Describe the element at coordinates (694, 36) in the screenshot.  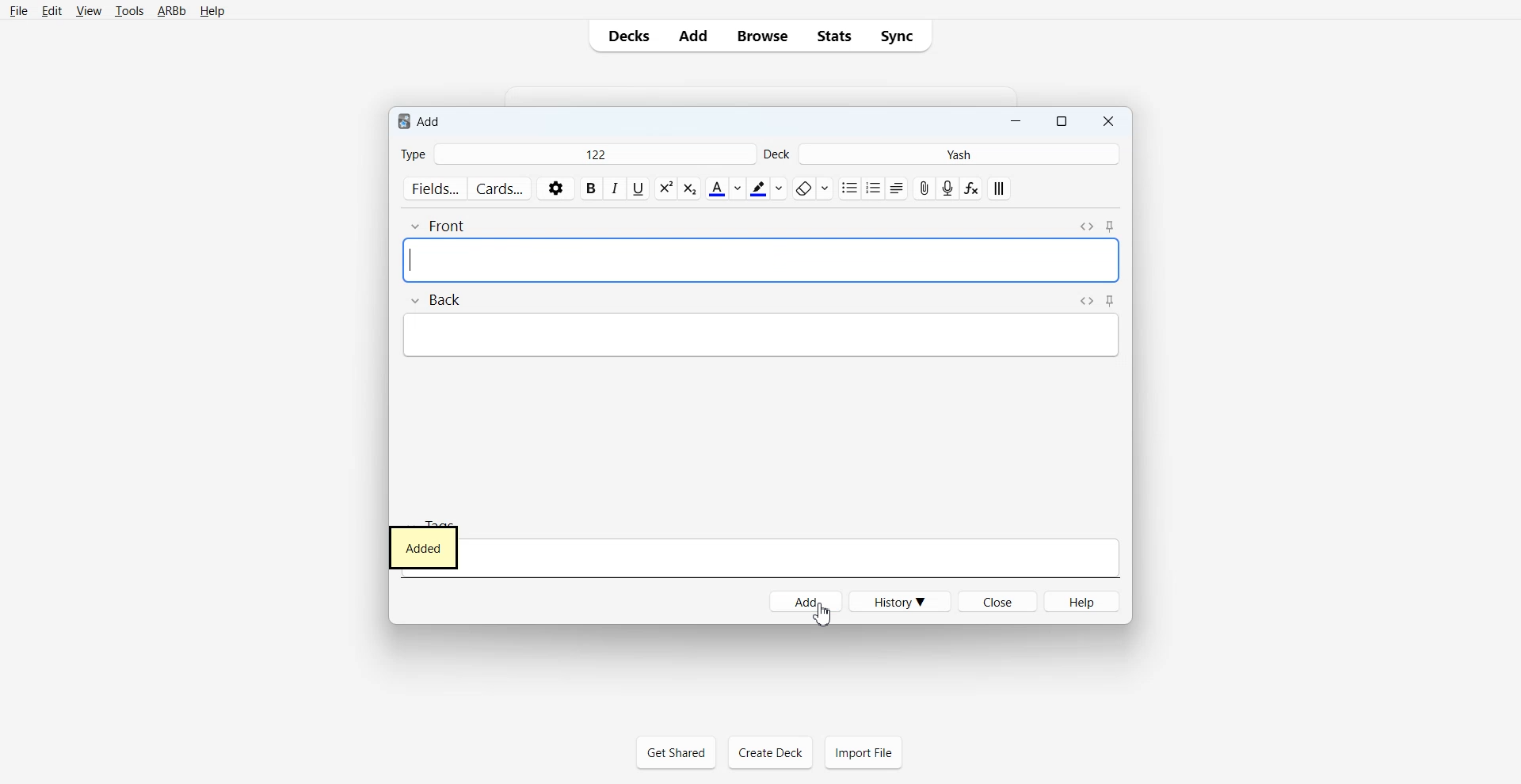
I see `Add` at that location.